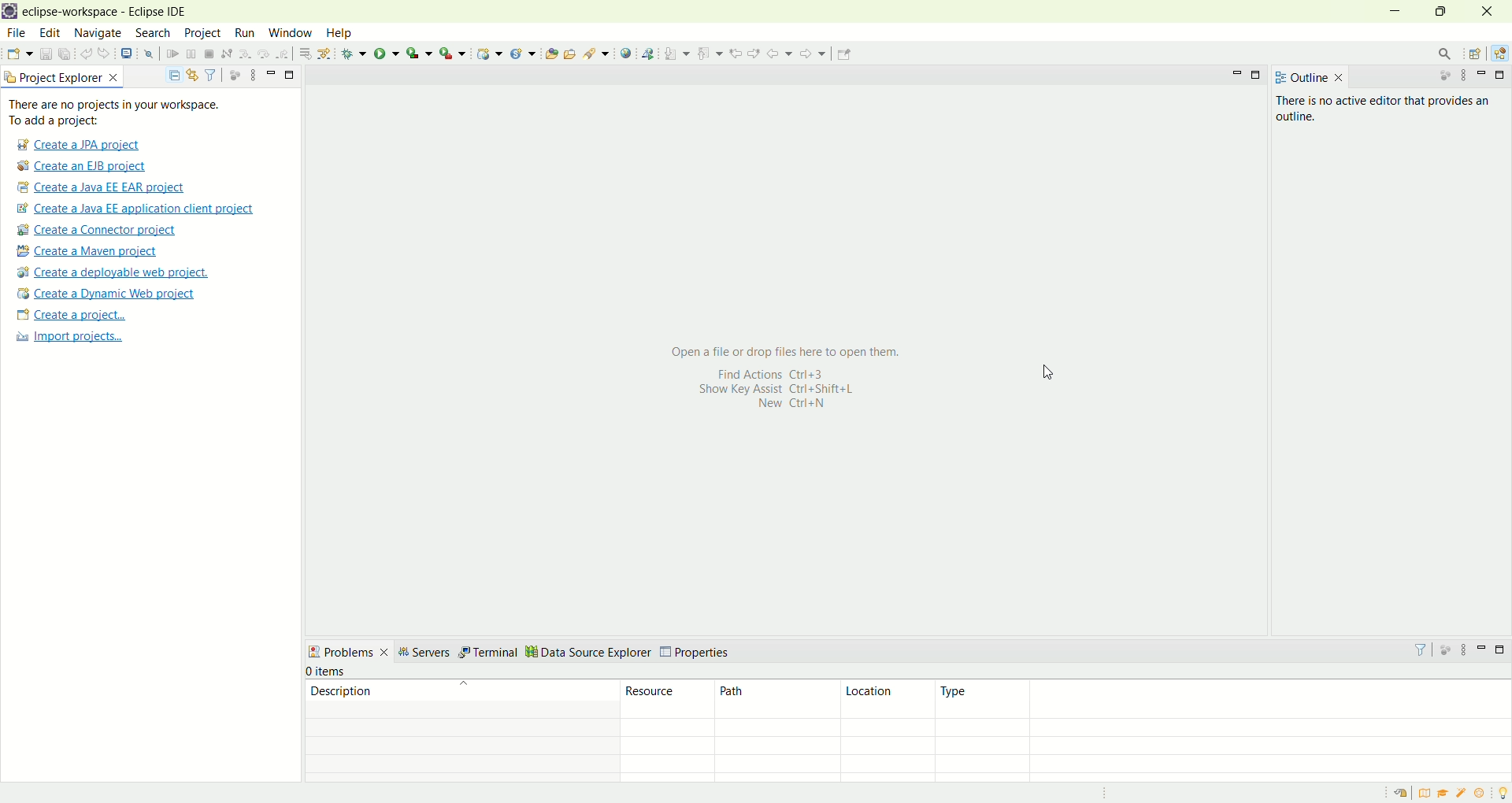 The height and width of the screenshot is (803, 1512). I want to click on what's new, so click(1483, 794).